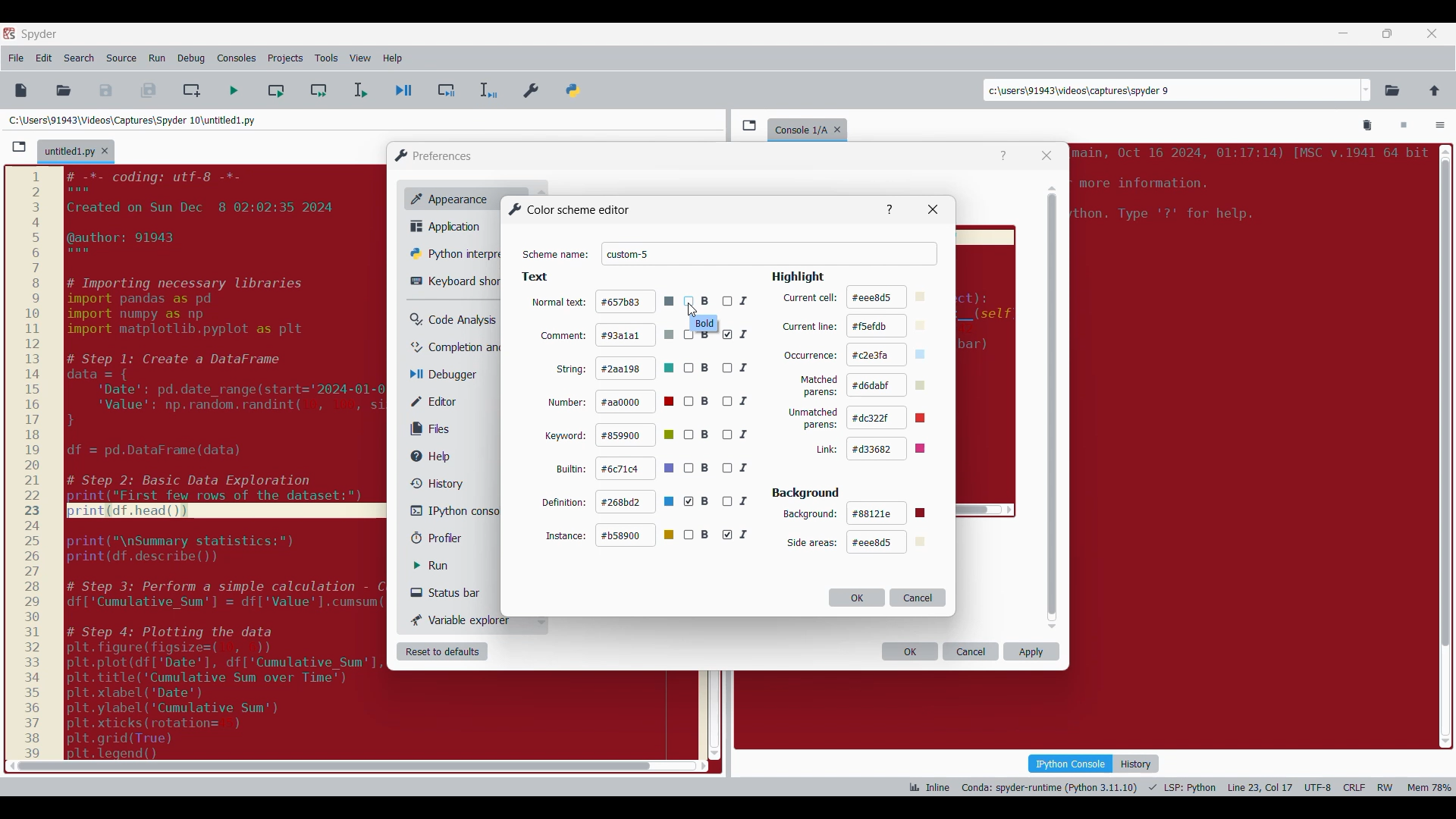 Image resolution: width=1456 pixels, height=819 pixels. What do you see at coordinates (568, 209) in the screenshot?
I see `Title of current window` at bounding box center [568, 209].